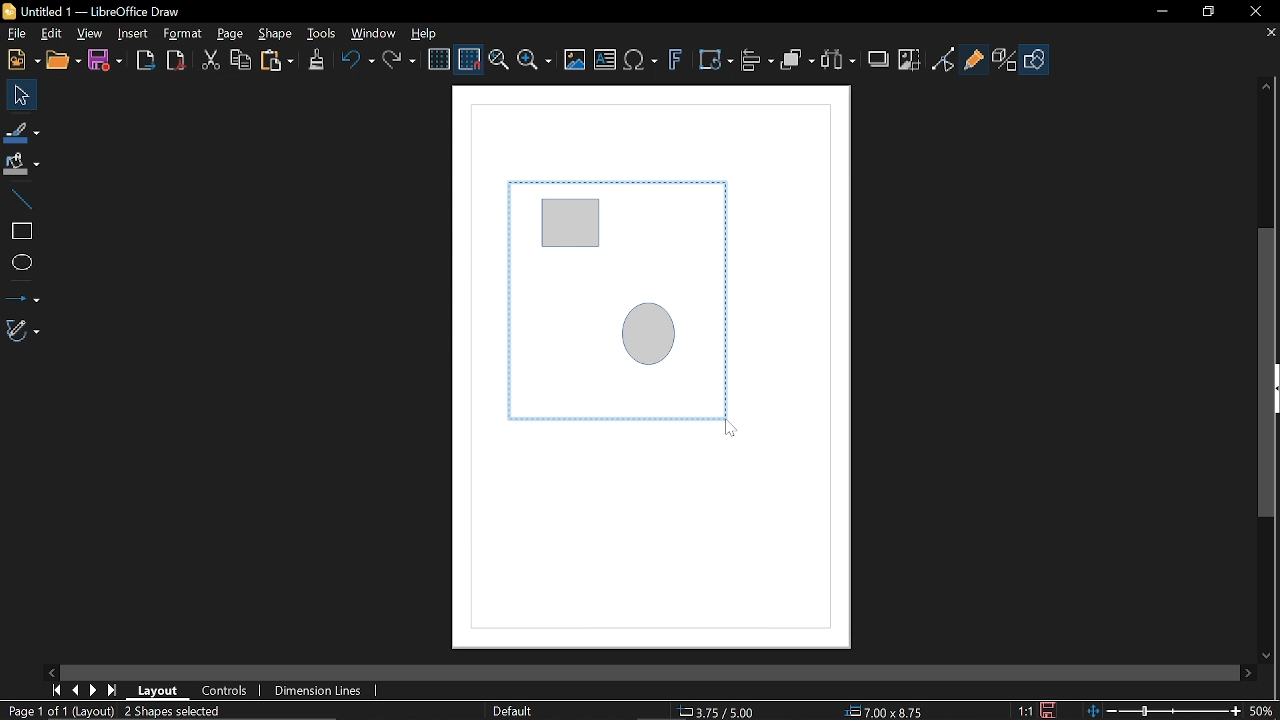 This screenshot has width=1280, height=720. Describe the element at coordinates (145, 63) in the screenshot. I see `Export` at that location.